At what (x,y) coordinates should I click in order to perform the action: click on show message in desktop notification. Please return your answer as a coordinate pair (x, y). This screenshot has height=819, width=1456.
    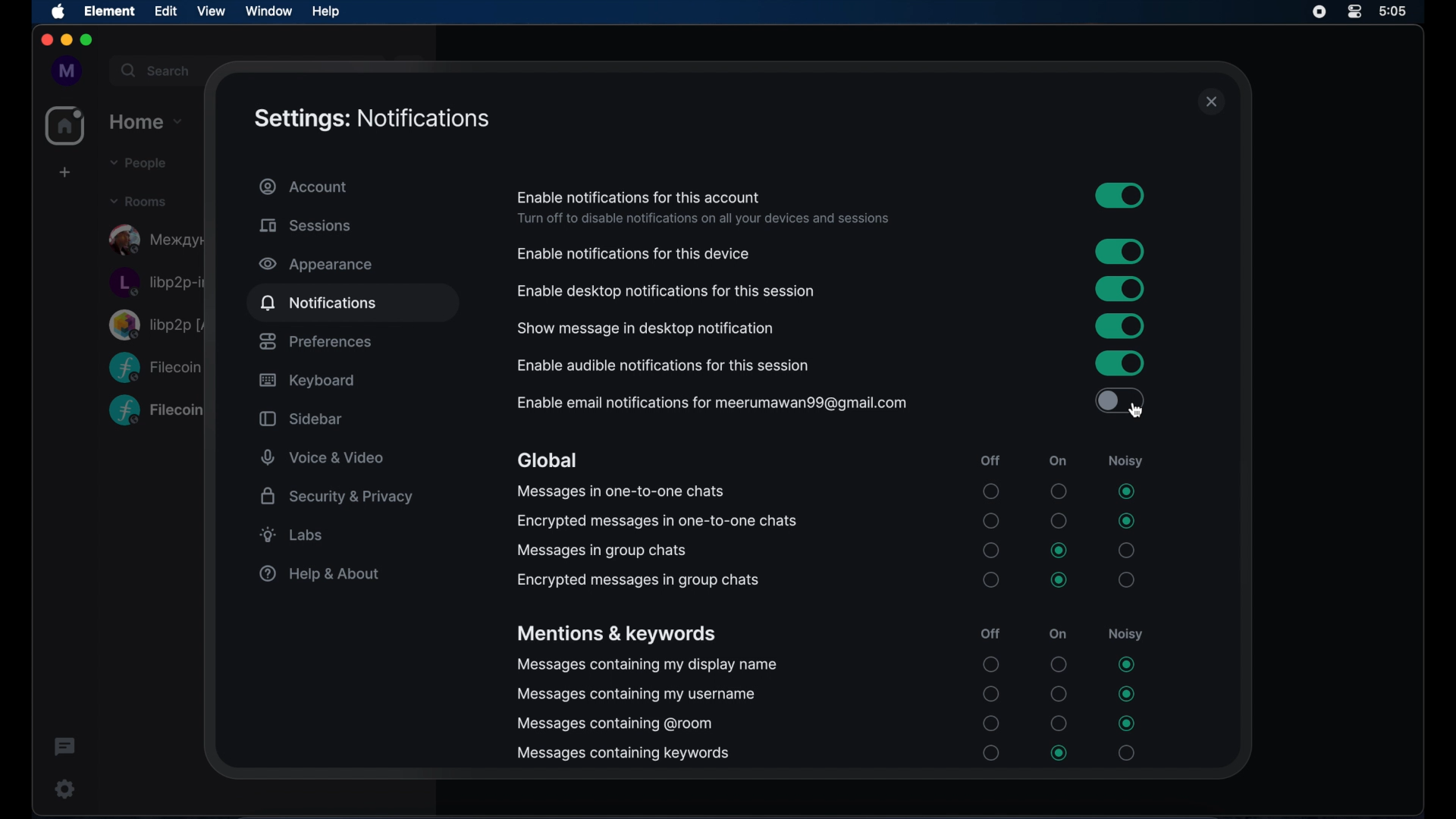
    Looking at the image, I should click on (646, 329).